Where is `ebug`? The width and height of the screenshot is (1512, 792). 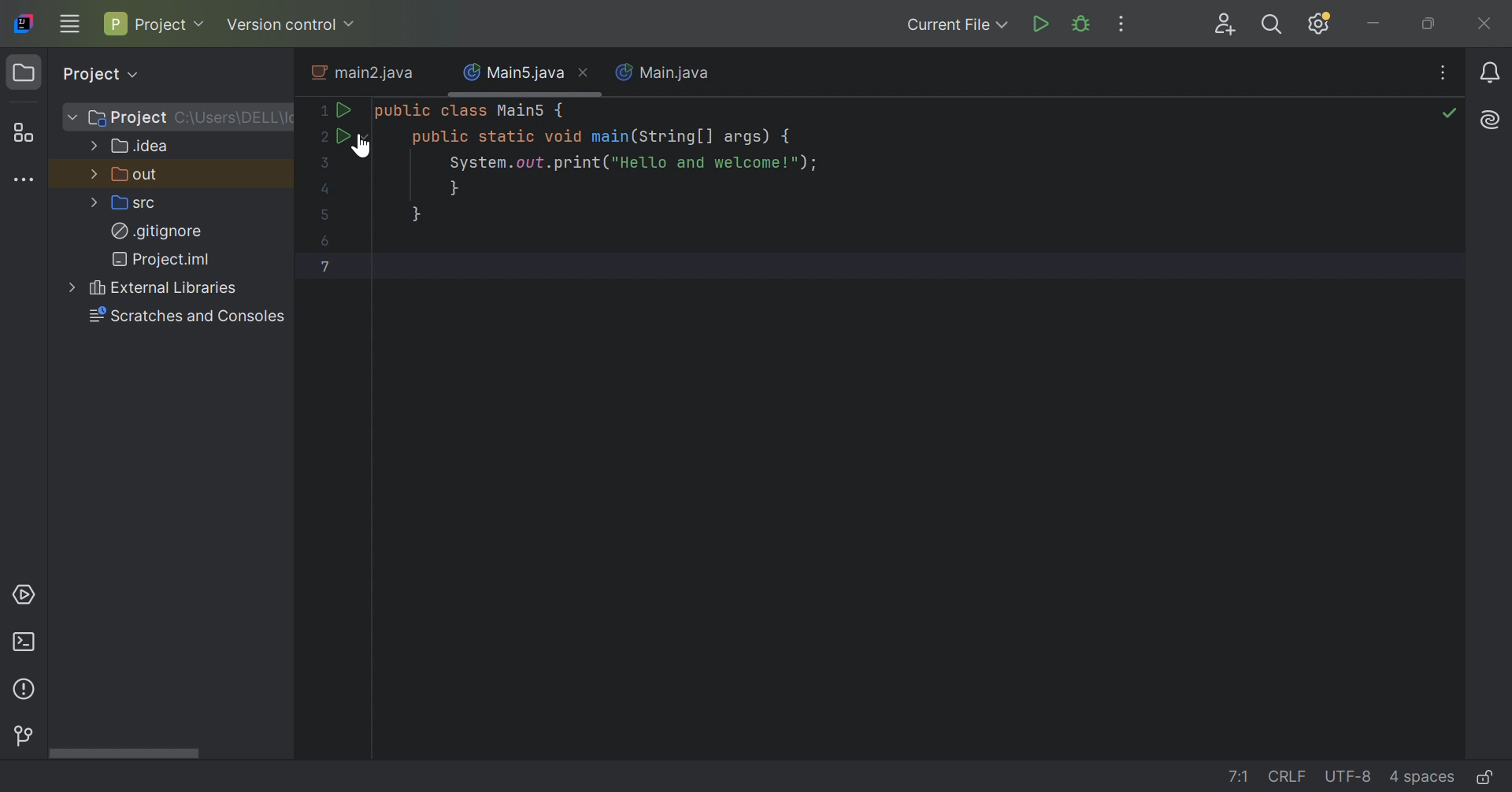
ebug is located at coordinates (1083, 22).